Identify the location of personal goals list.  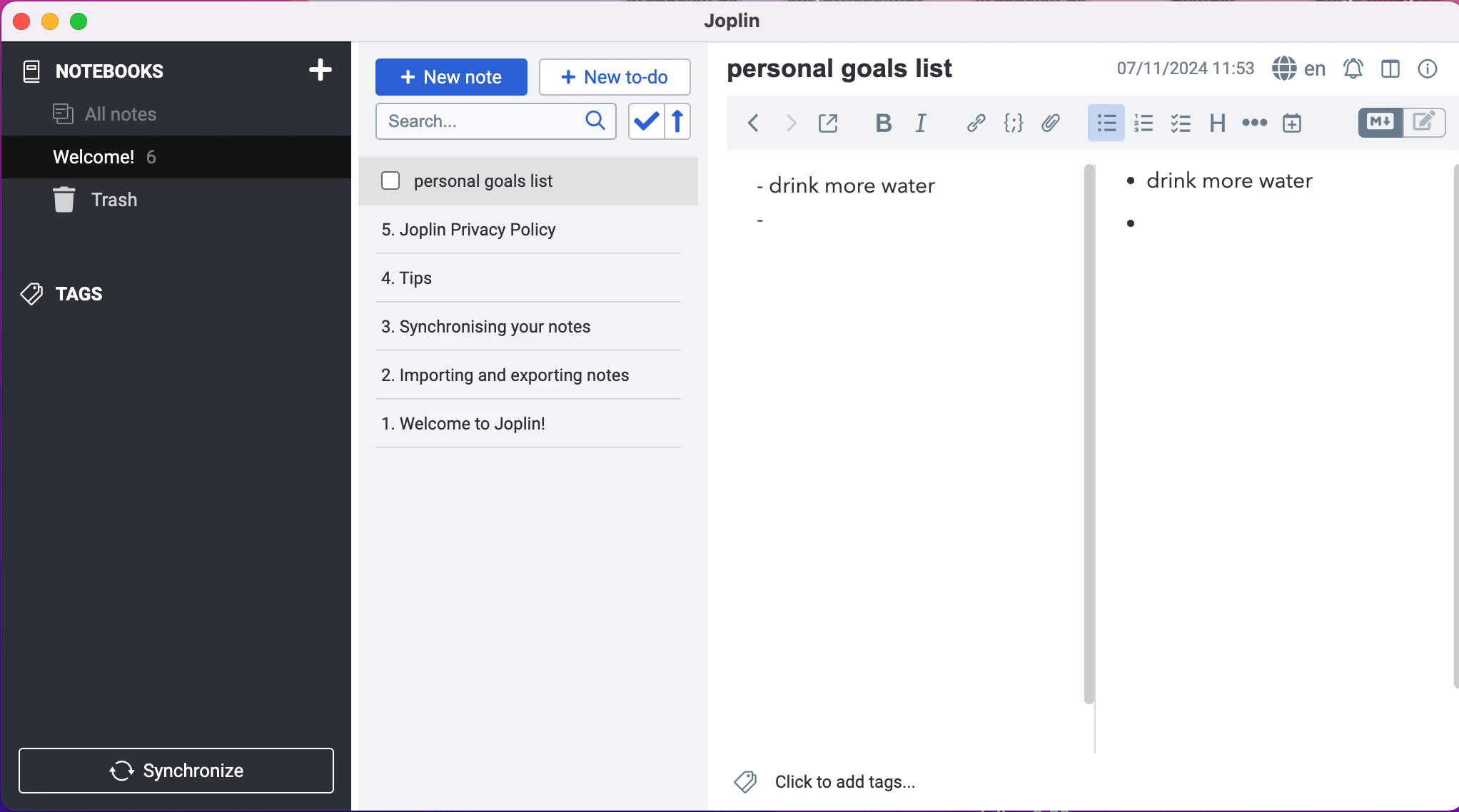
(530, 182).